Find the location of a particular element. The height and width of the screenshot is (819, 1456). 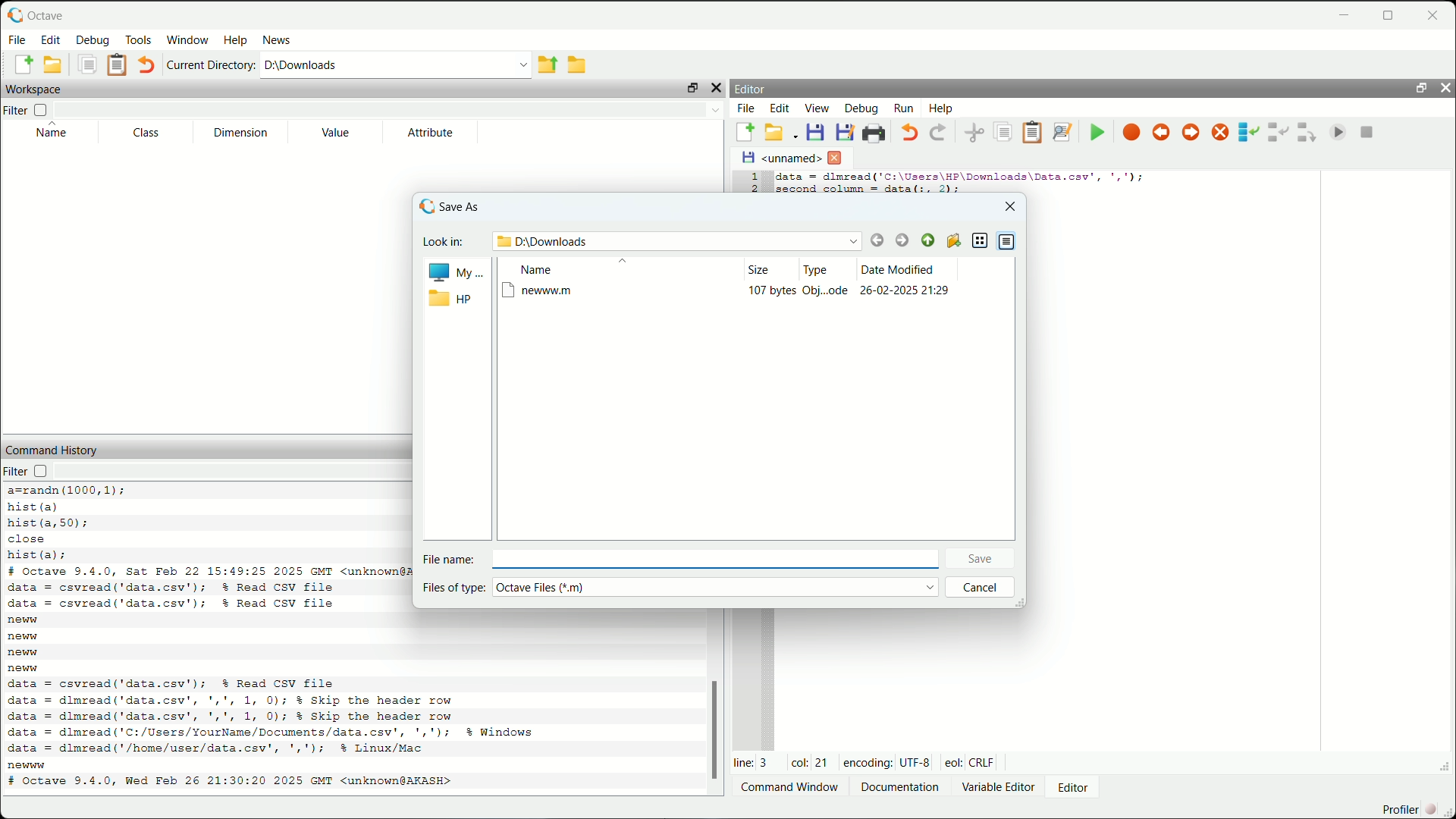

save file is located at coordinates (817, 135).